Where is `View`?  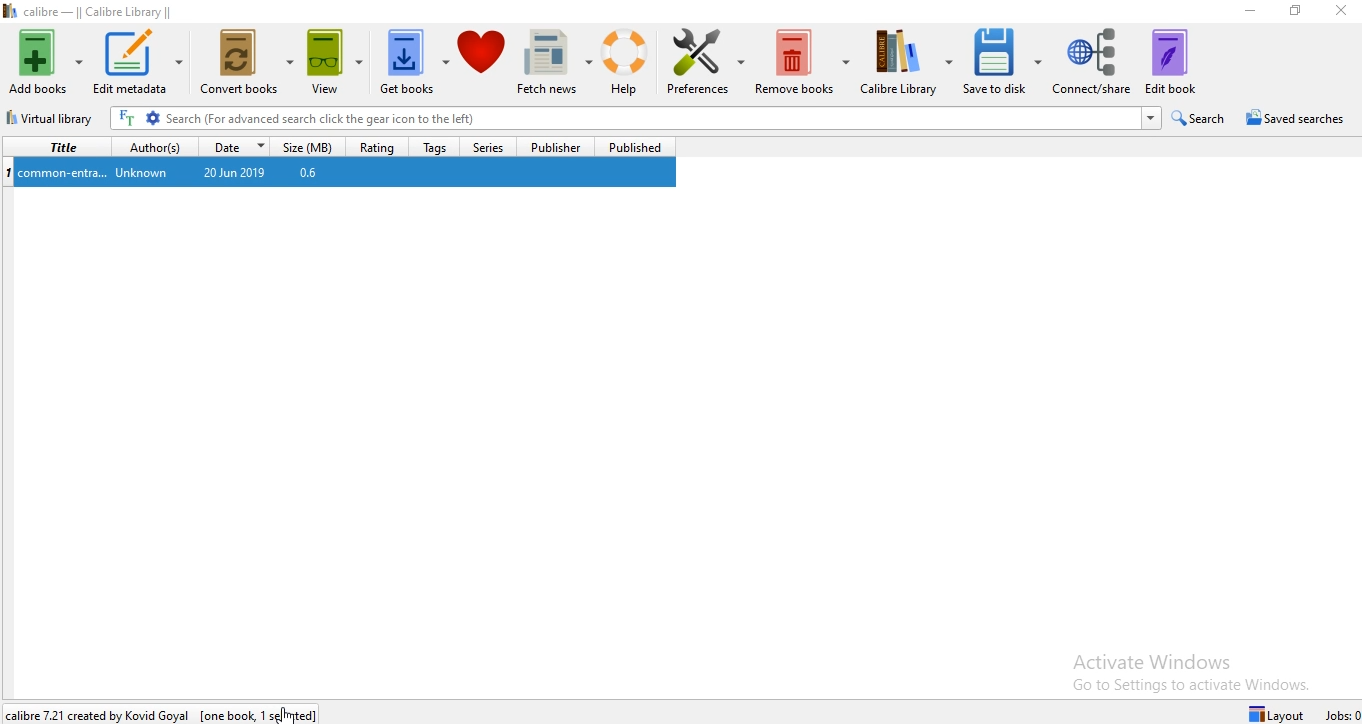 View is located at coordinates (335, 64).